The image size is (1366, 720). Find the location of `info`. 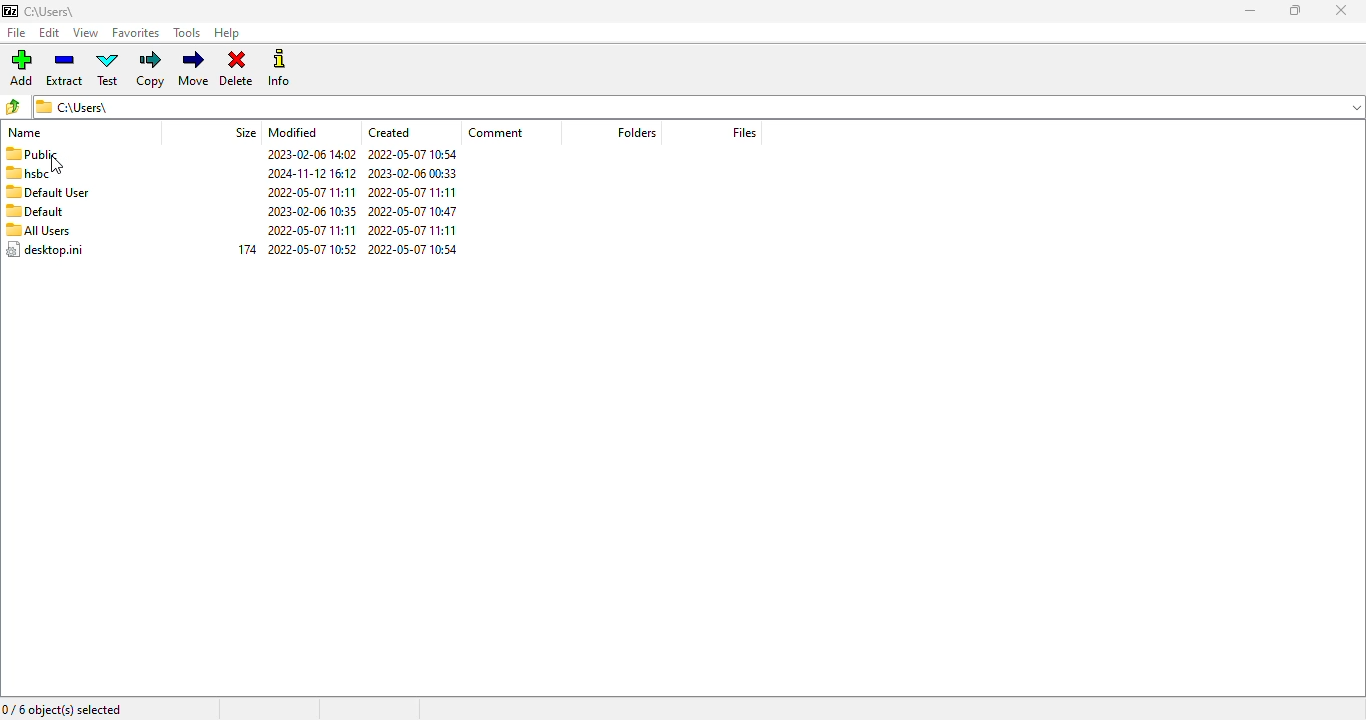

info is located at coordinates (281, 68).